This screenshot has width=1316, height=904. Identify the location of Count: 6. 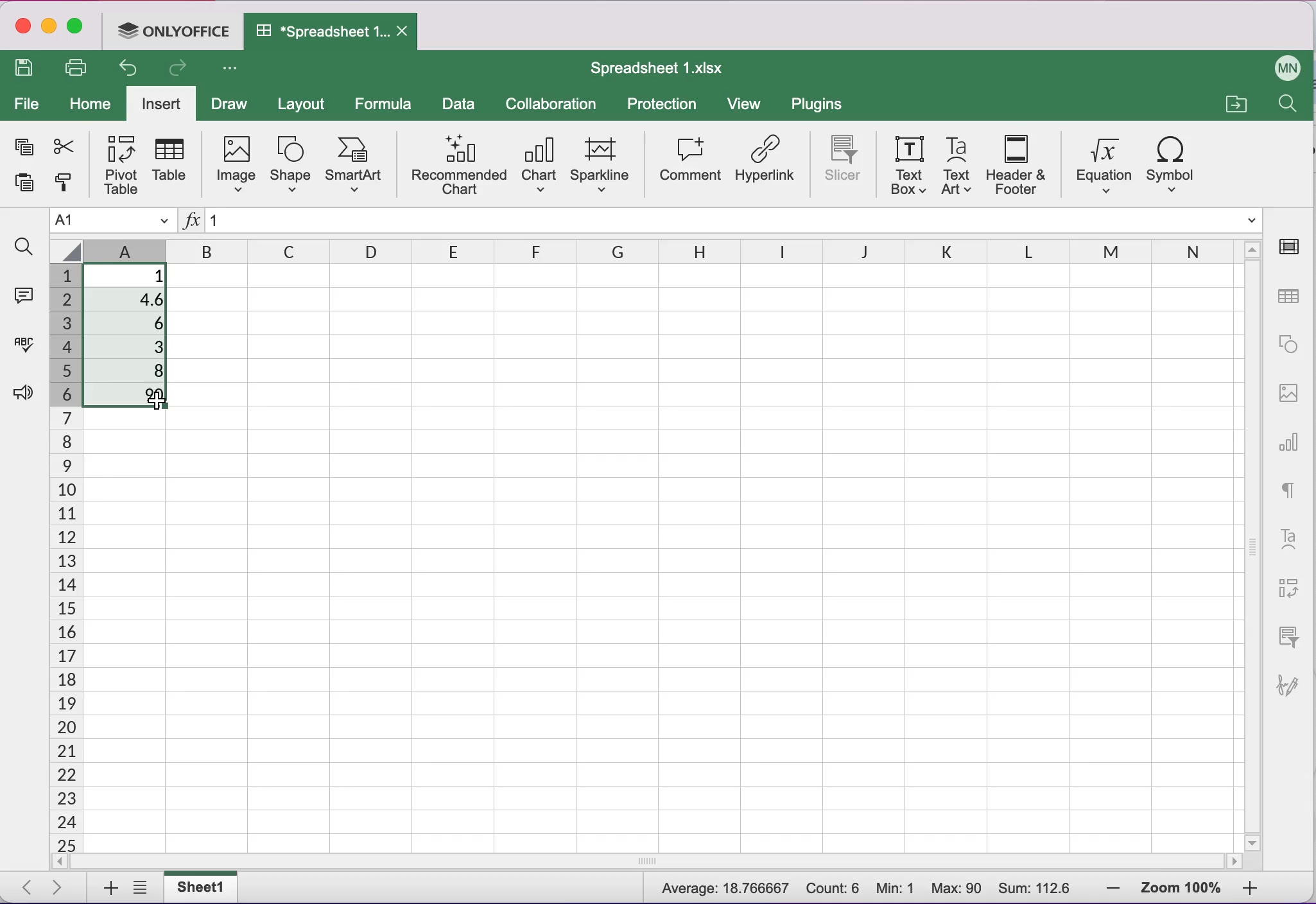
(833, 889).